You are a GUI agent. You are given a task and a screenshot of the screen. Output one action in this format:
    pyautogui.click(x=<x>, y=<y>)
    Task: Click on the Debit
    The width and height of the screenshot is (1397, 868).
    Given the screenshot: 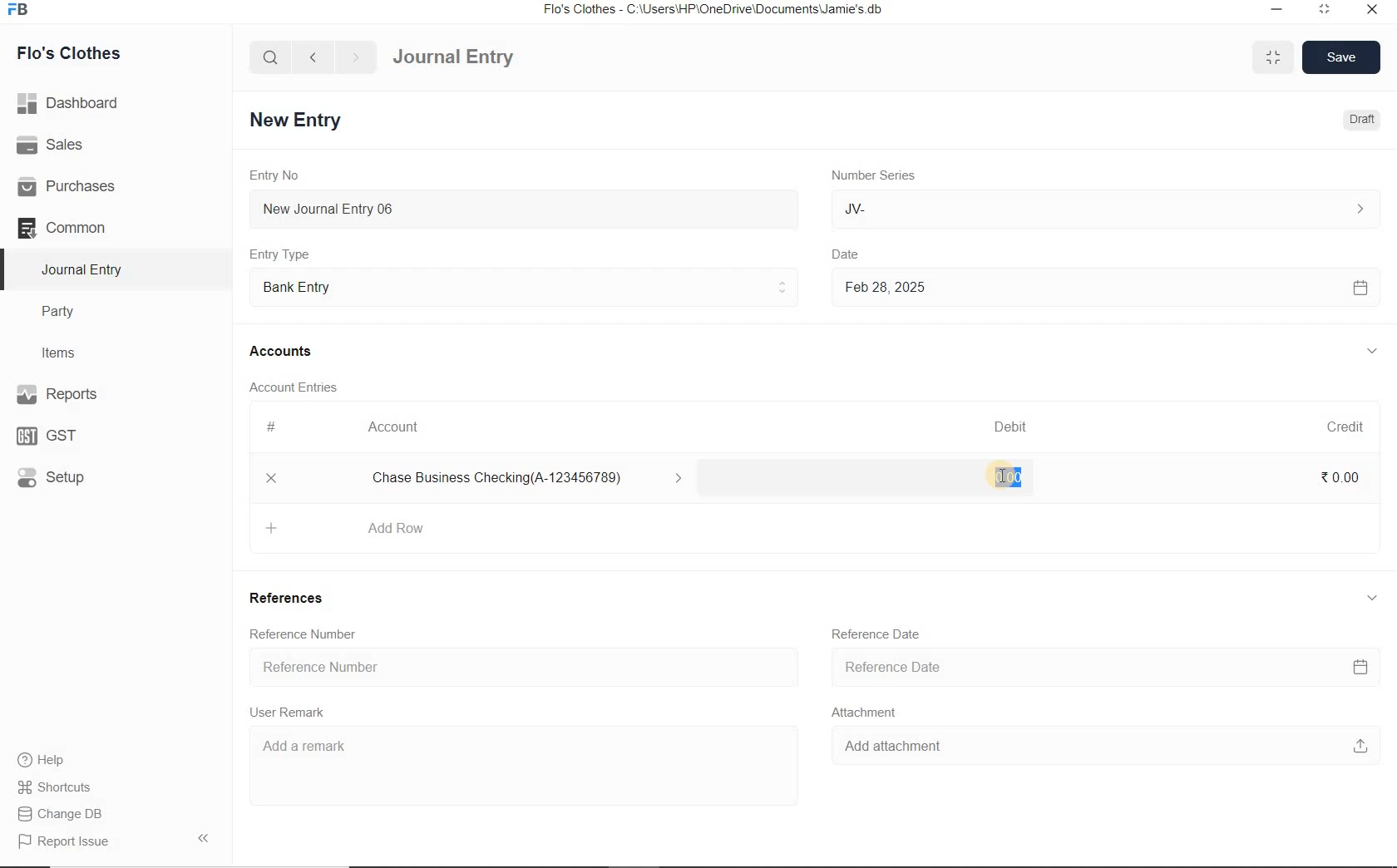 What is the action you would take?
    pyautogui.click(x=1012, y=427)
    